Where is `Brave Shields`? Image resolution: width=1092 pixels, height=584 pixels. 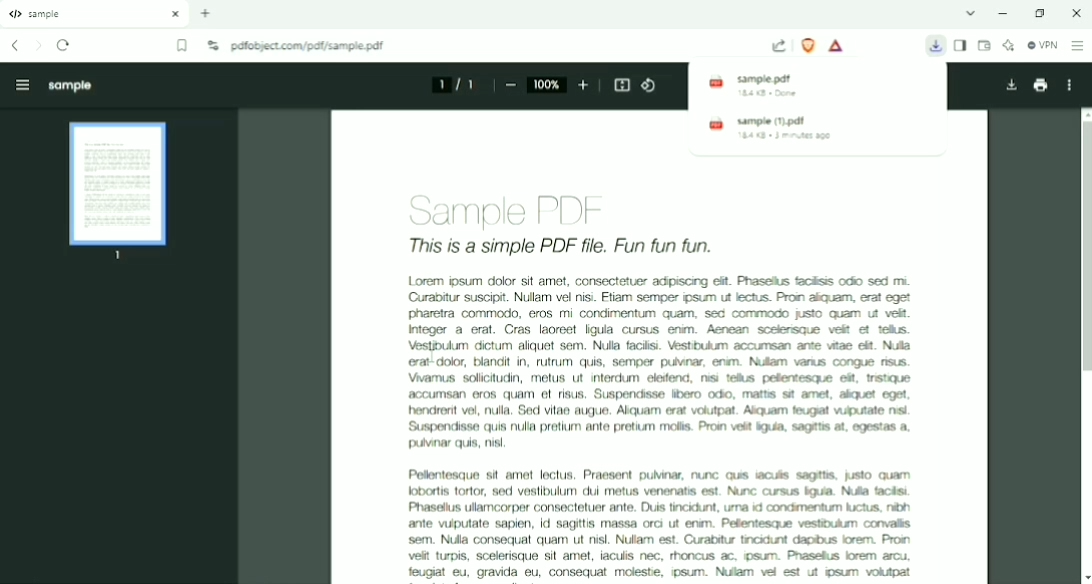 Brave Shields is located at coordinates (808, 45).